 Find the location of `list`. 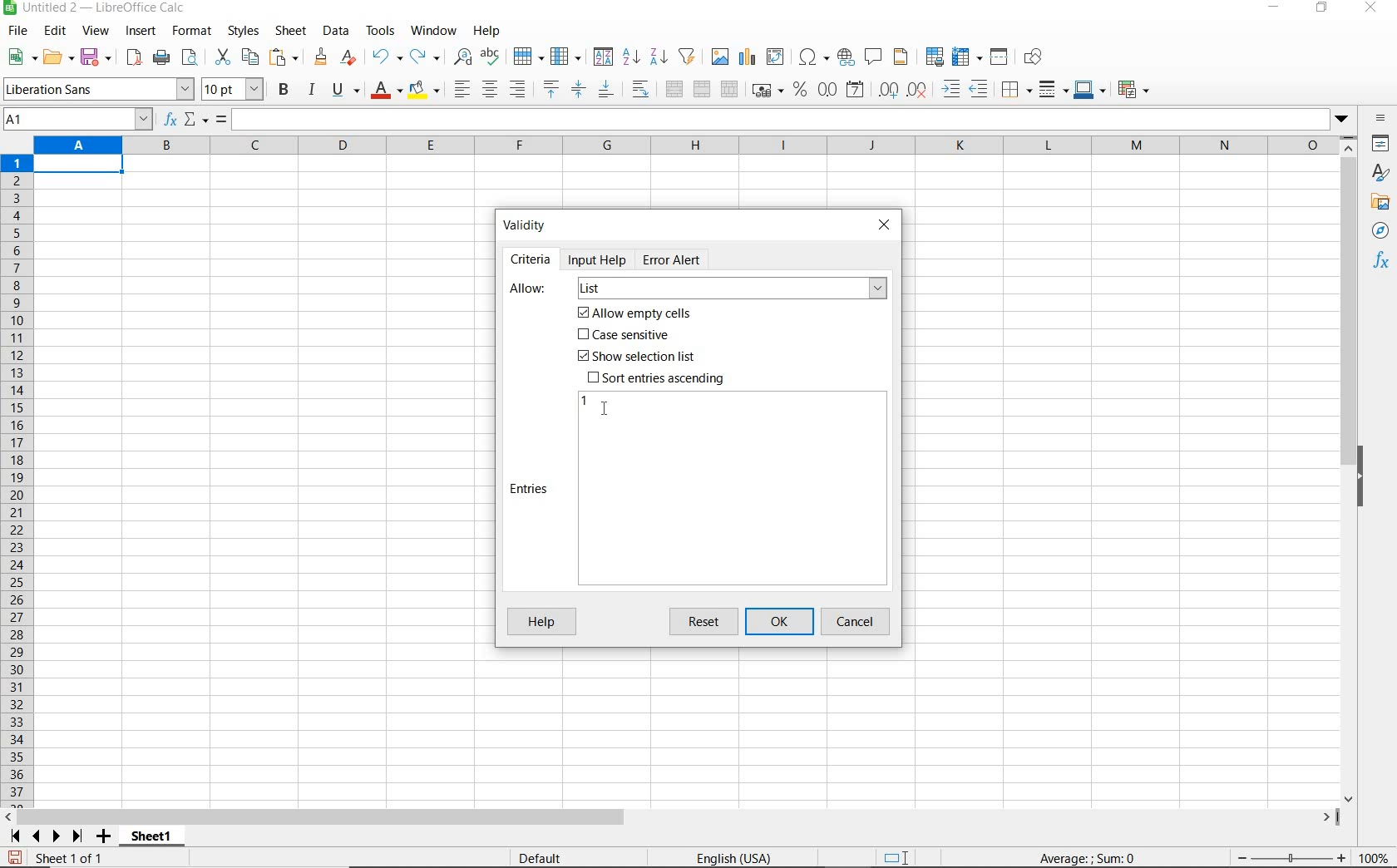

list is located at coordinates (731, 289).